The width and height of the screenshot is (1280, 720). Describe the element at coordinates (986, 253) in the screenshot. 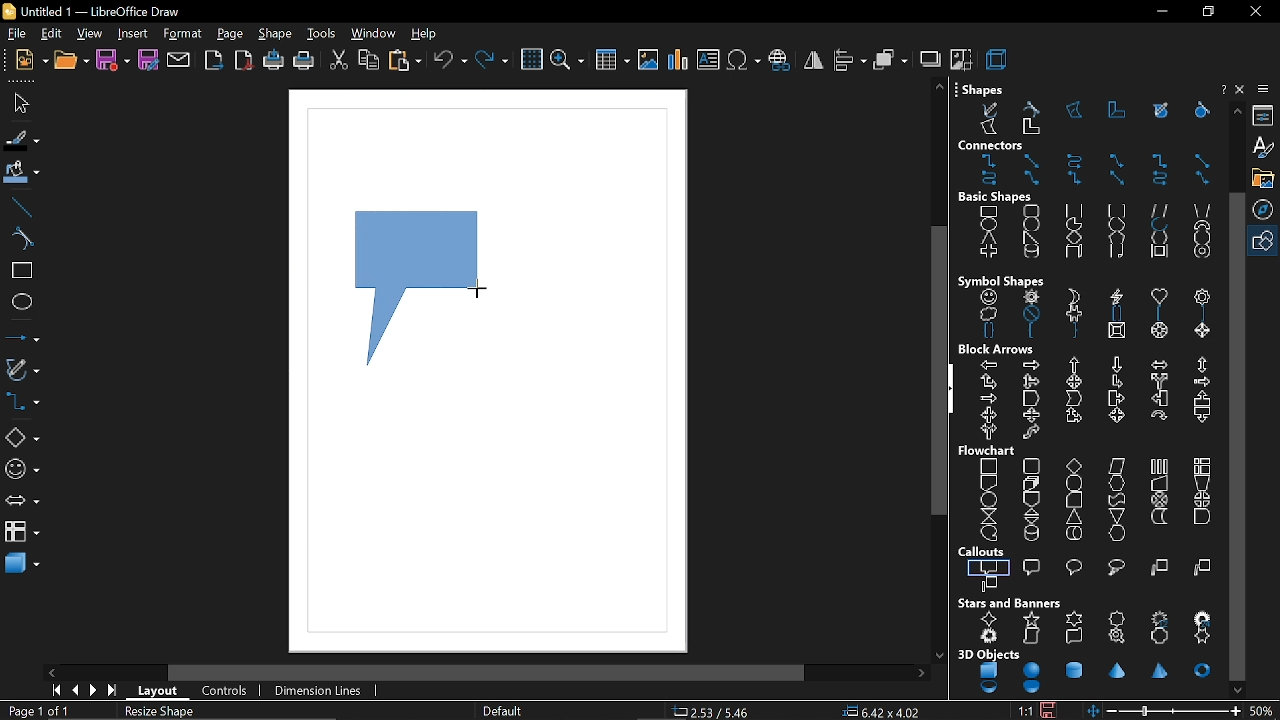

I see `cross` at that location.